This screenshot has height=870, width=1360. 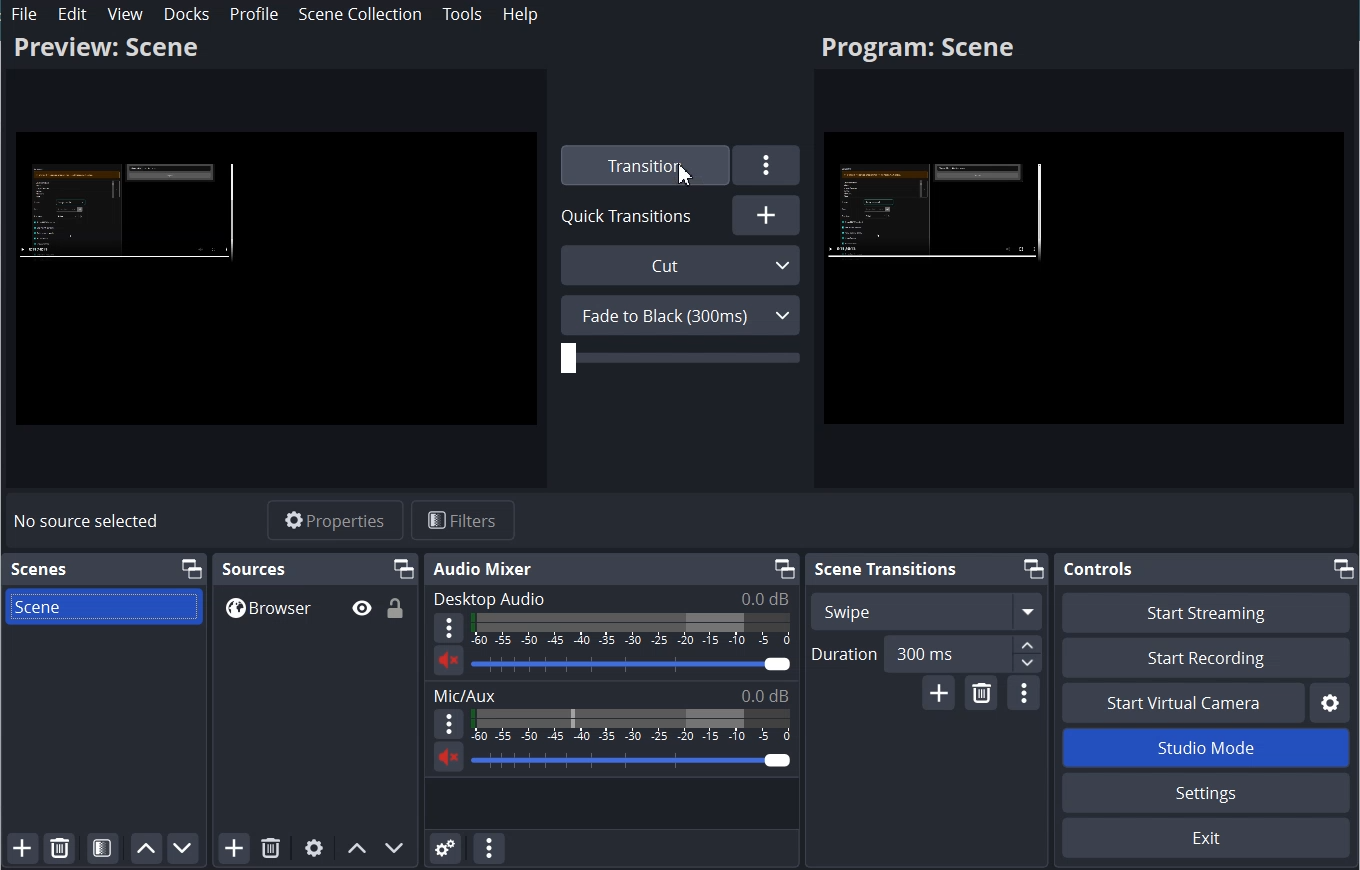 I want to click on Text, so click(x=610, y=598).